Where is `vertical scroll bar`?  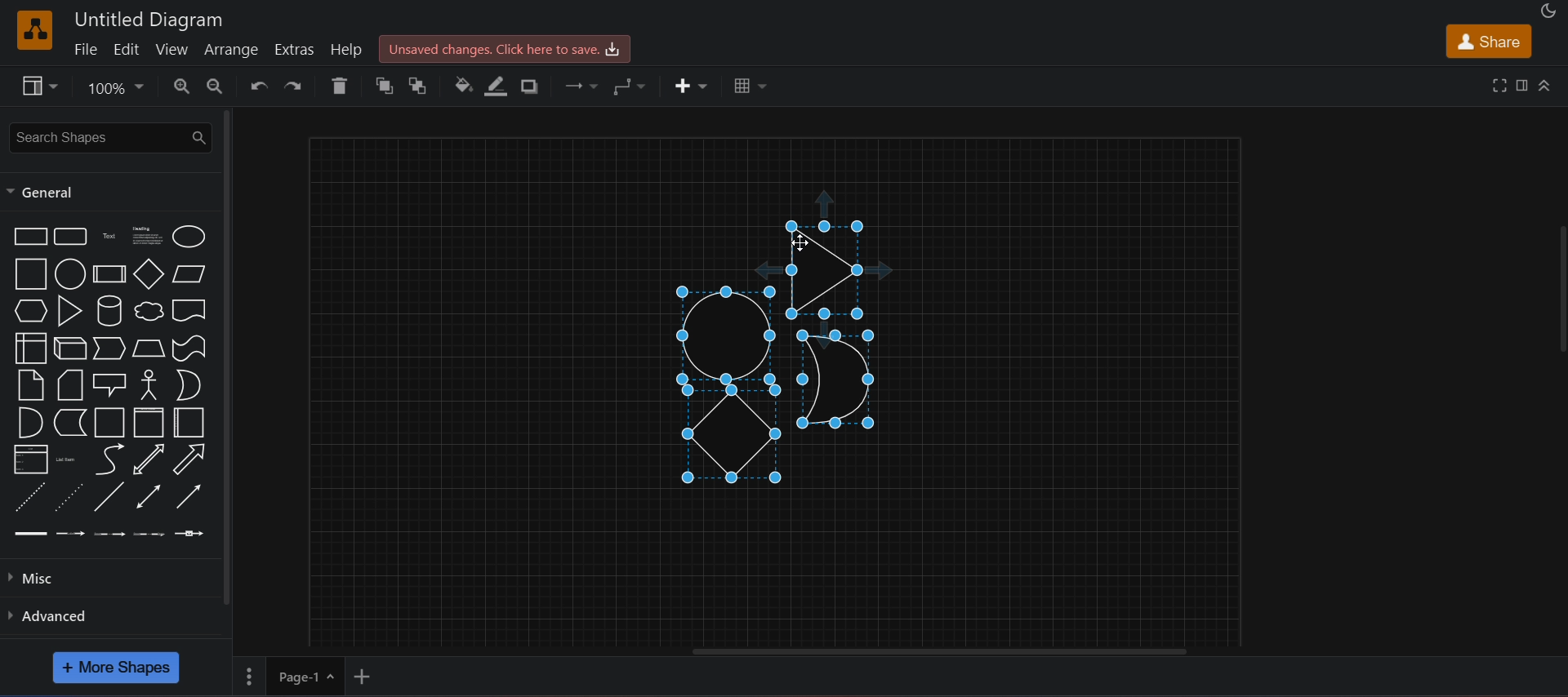
vertical scroll bar is located at coordinates (226, 356).